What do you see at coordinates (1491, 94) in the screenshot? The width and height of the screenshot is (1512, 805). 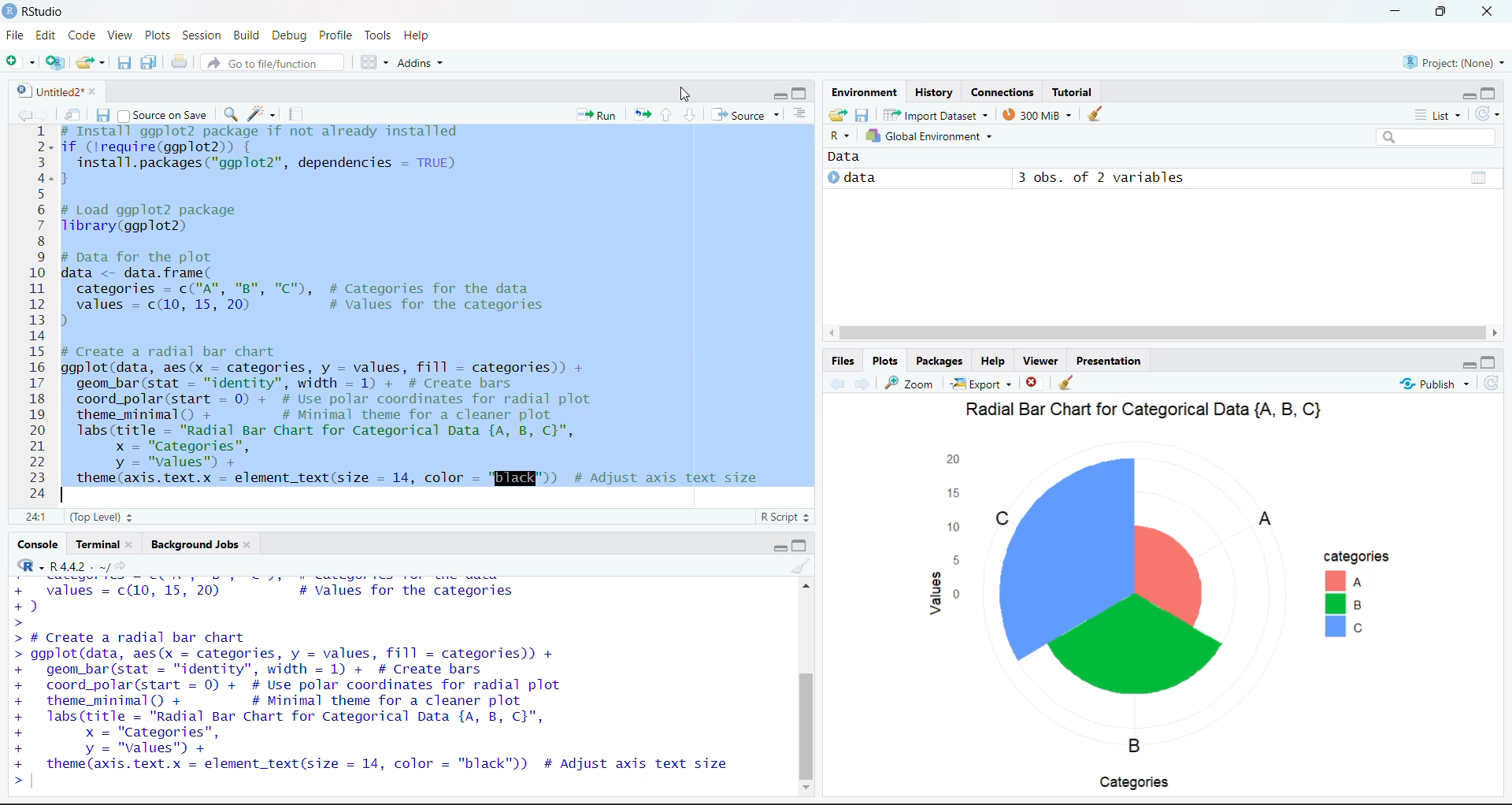 I see `hide console` at bounding box center [1491, 94].